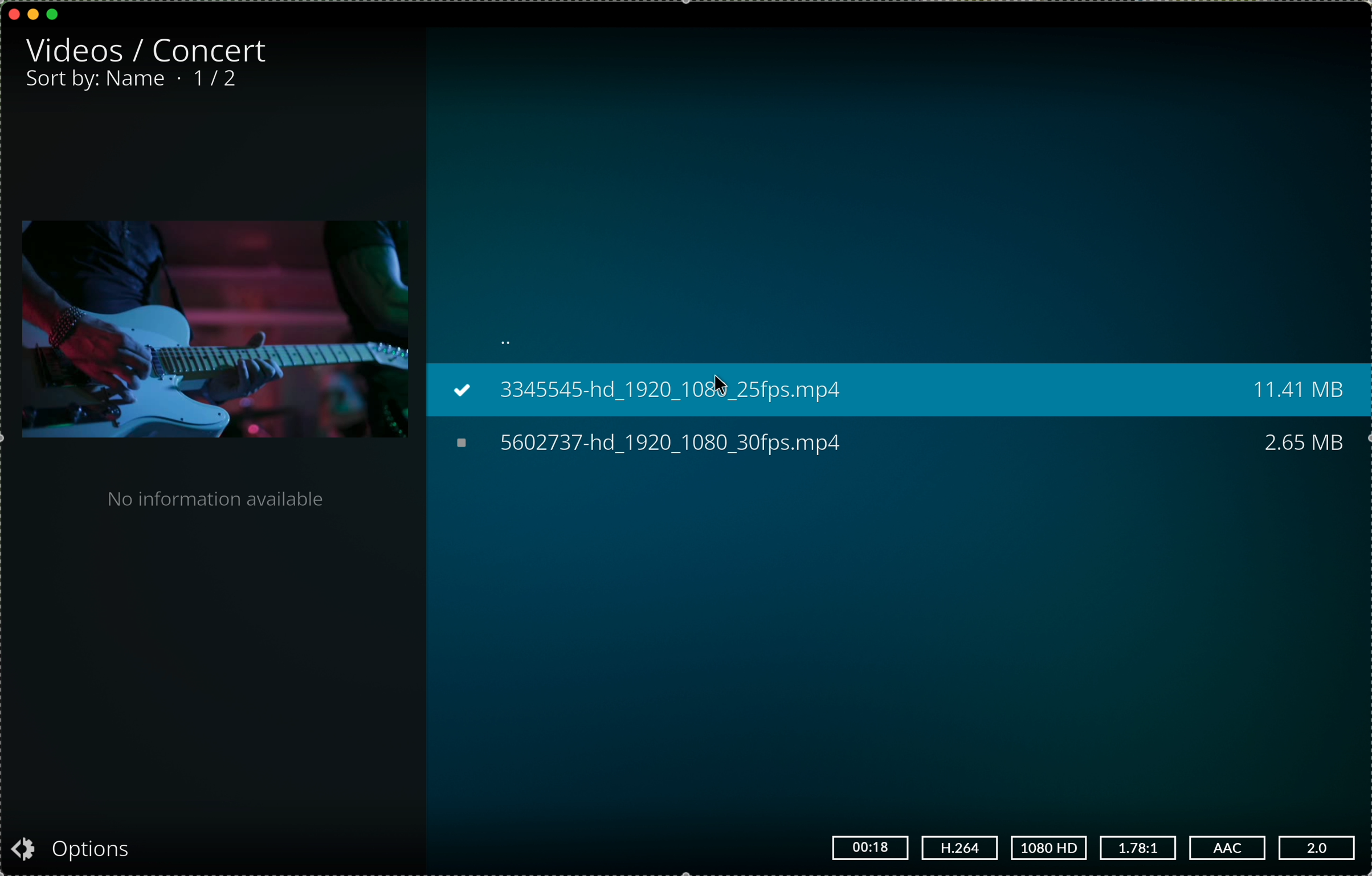 The height and width of the screenshot is (876, 1372). What do you see at coordinates (214, 498) in the screenshot?
I see `no information available` at bounding box center [214, 498].